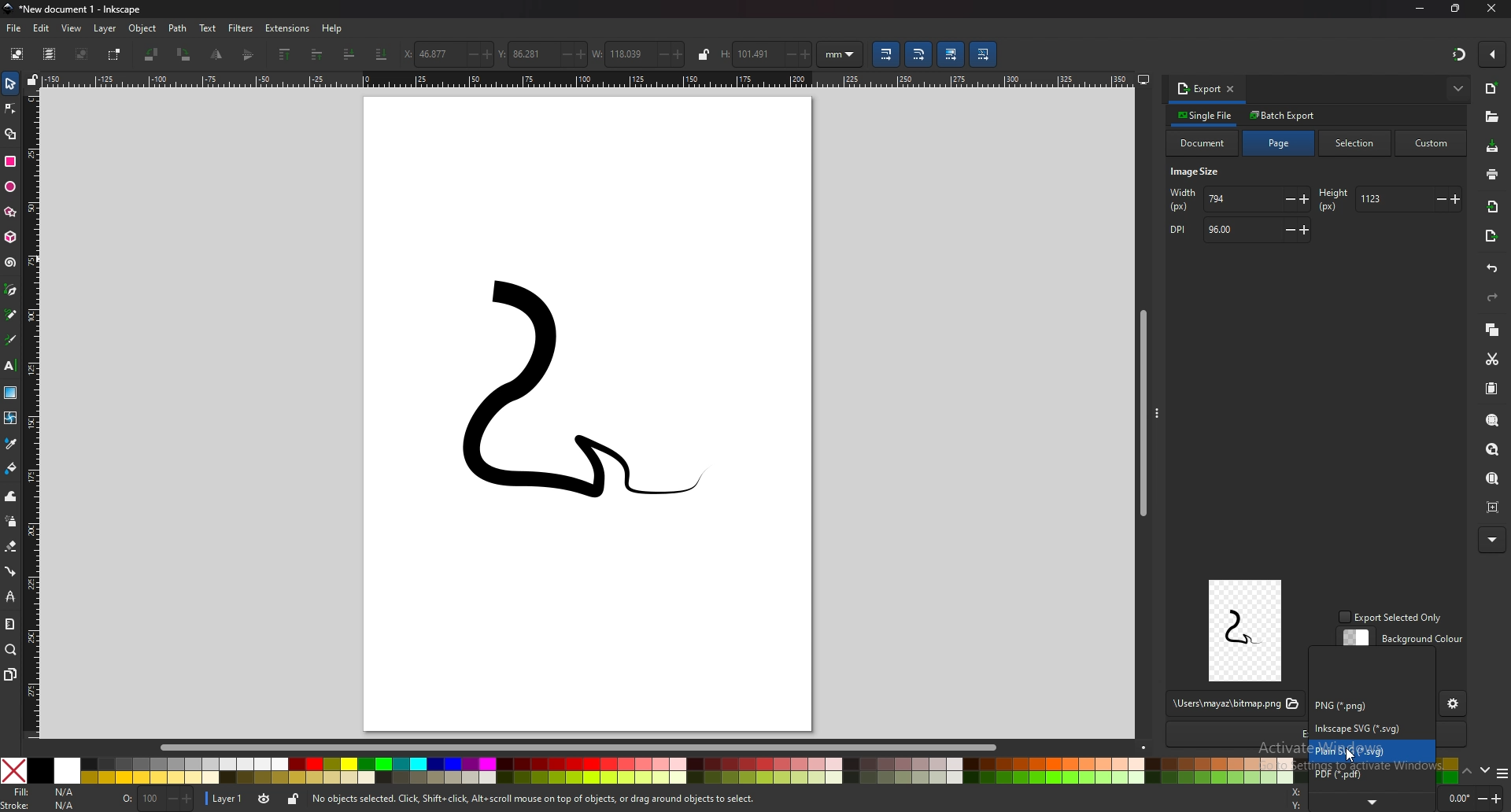 The height and width of the screenshot is (812, 1511). Describe the element at coordinates (185, 54) in the screenshot. I see `rotate 90 degree cw` at that location.